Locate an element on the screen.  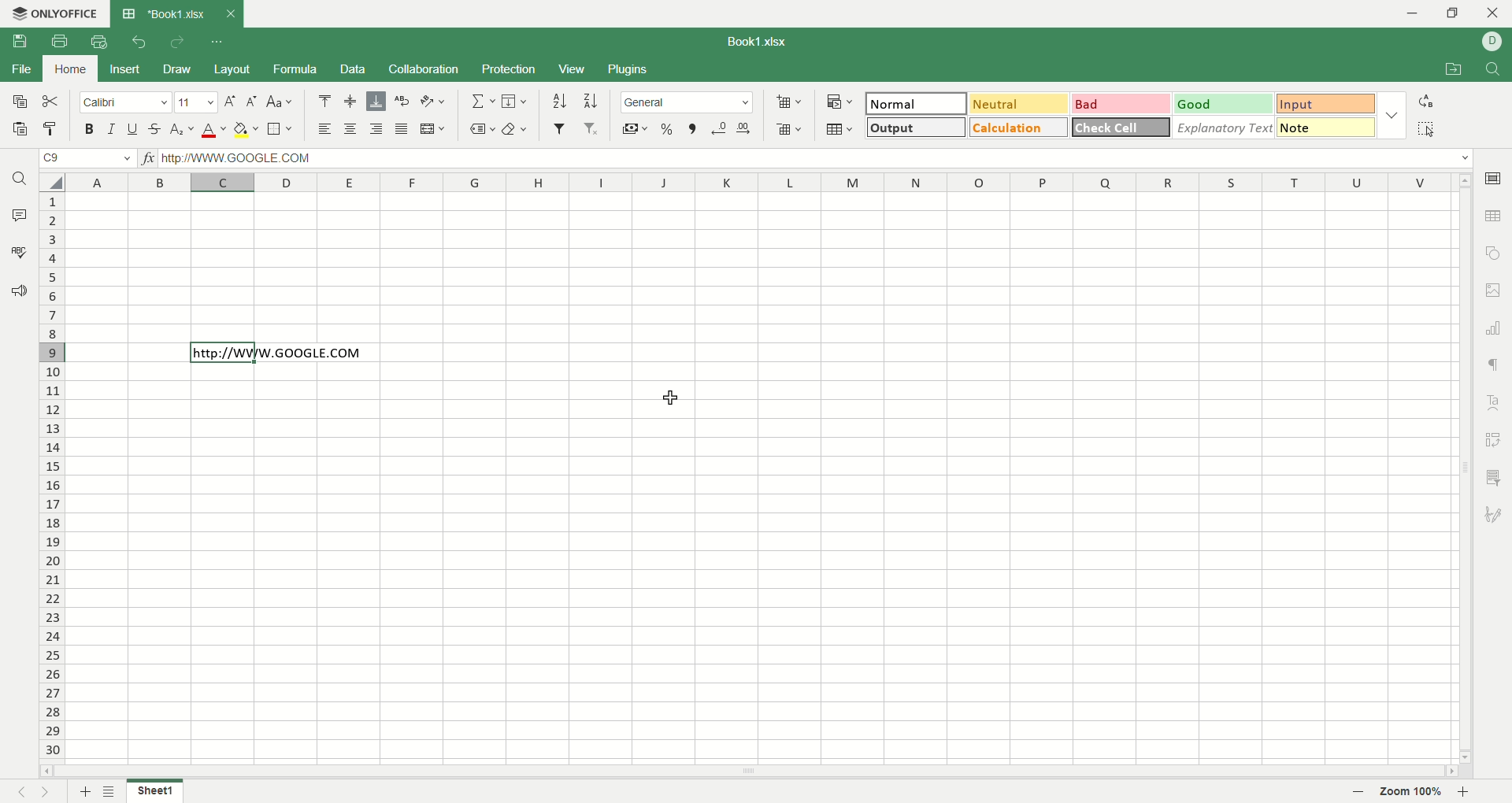
insert cell is located at coordinates (789, 102).